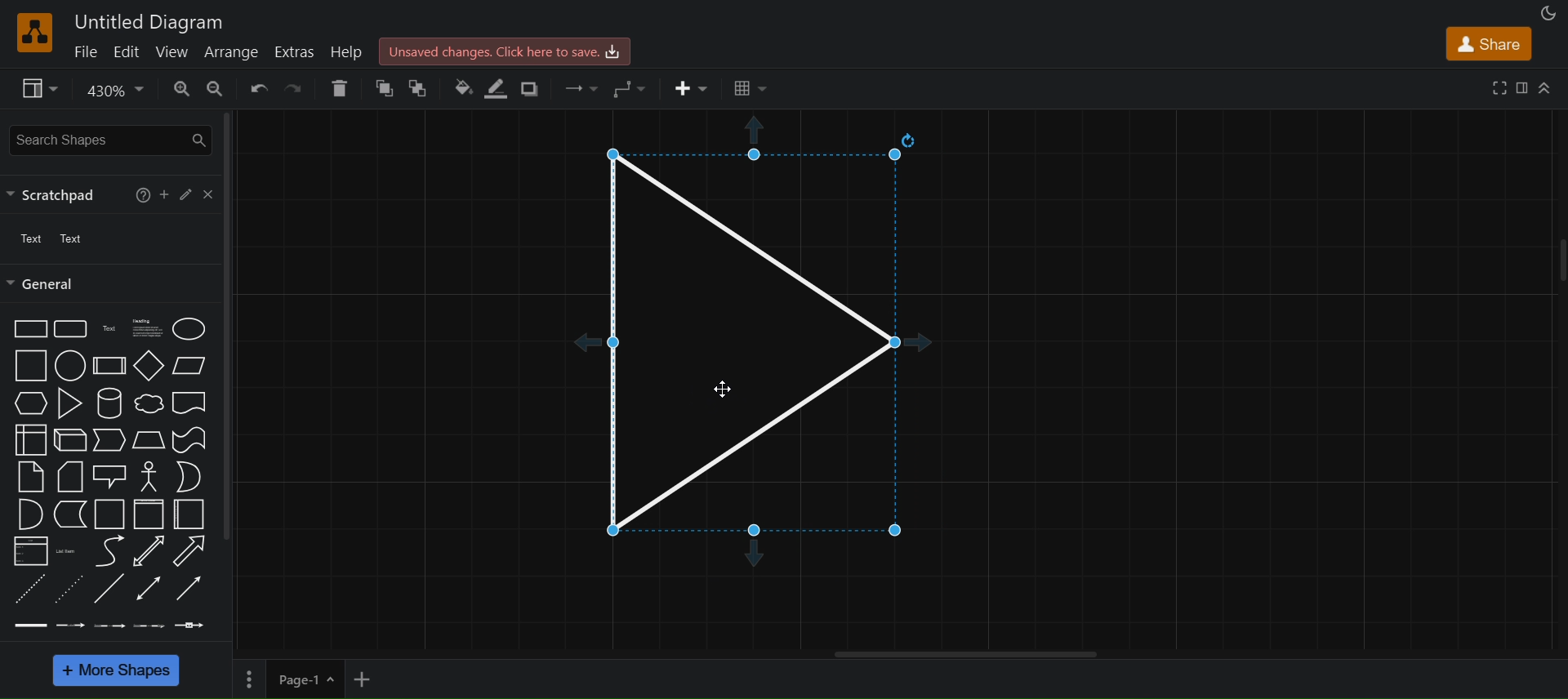 This screenshot has width=1568, height=699. I want to click on zoom out, so click(216, 88).